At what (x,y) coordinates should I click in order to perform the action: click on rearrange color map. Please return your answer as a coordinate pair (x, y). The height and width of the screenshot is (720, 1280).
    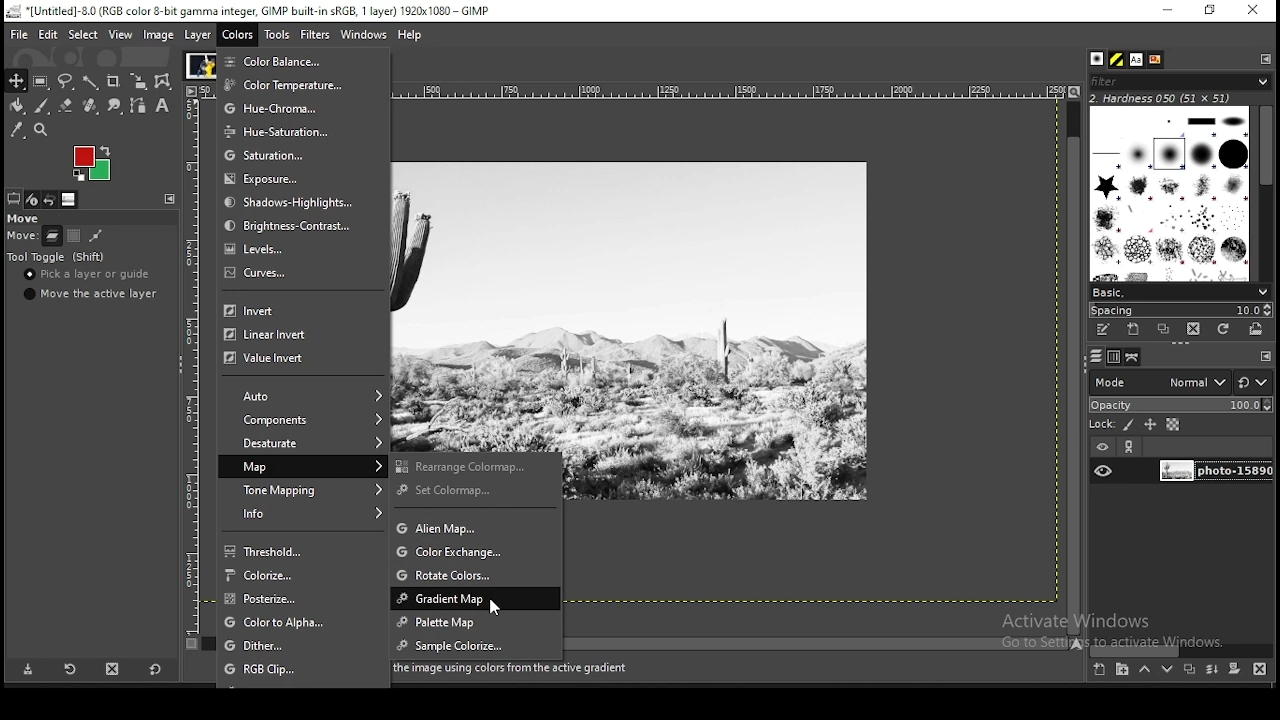
    Looking at the image, I should click on (478, 465).